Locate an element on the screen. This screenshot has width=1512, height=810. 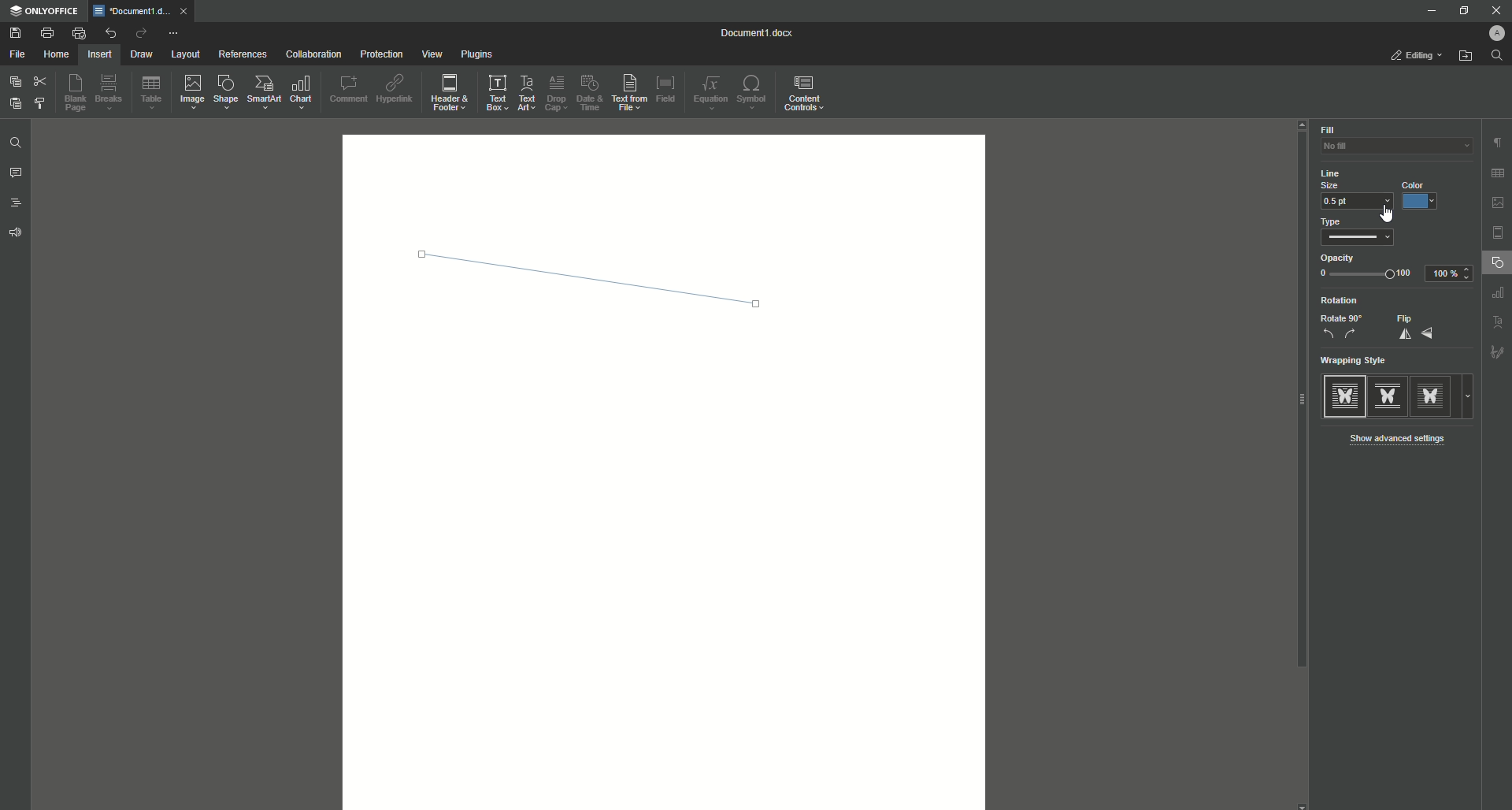
Shape is located at coordinates (228, 95).